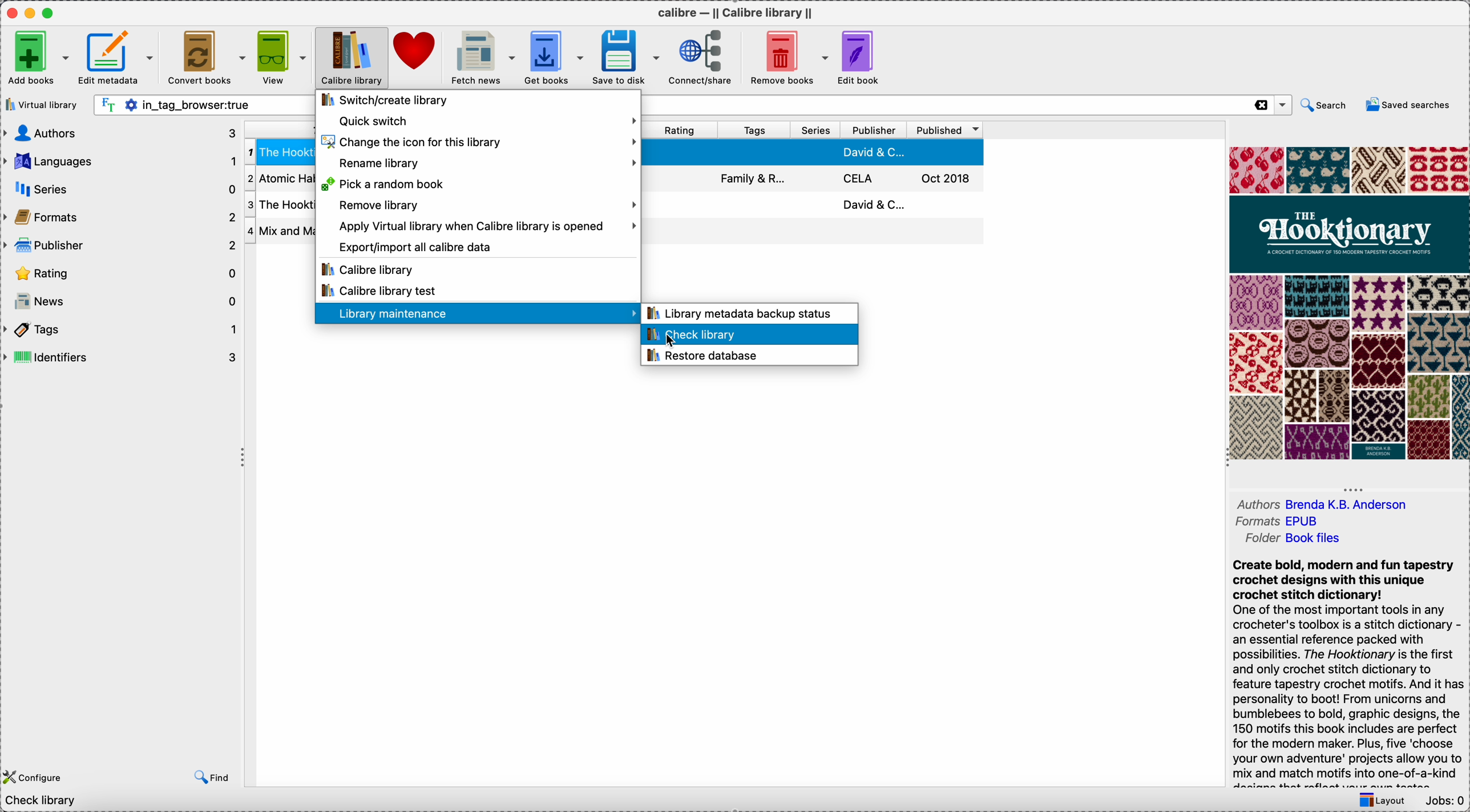  Describe the element at coordinates (118, 61) in the screenshot. I see `edit metadata` at that location.